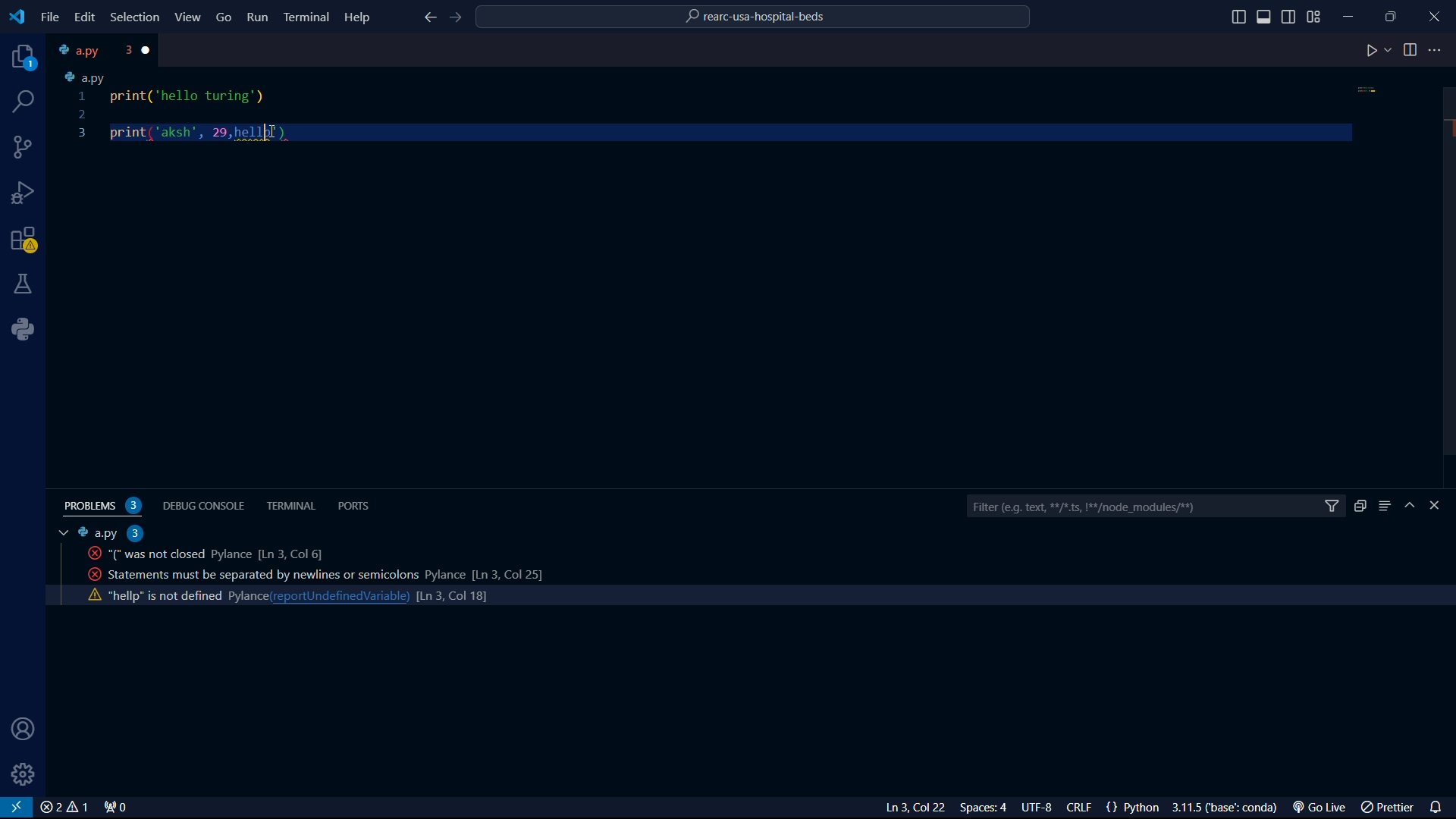 This screenshot has height=819, width=1456. What do you see at coordinates (306, 573) in the screenshot?
I see `activity code` at bounding box center [306, 573].